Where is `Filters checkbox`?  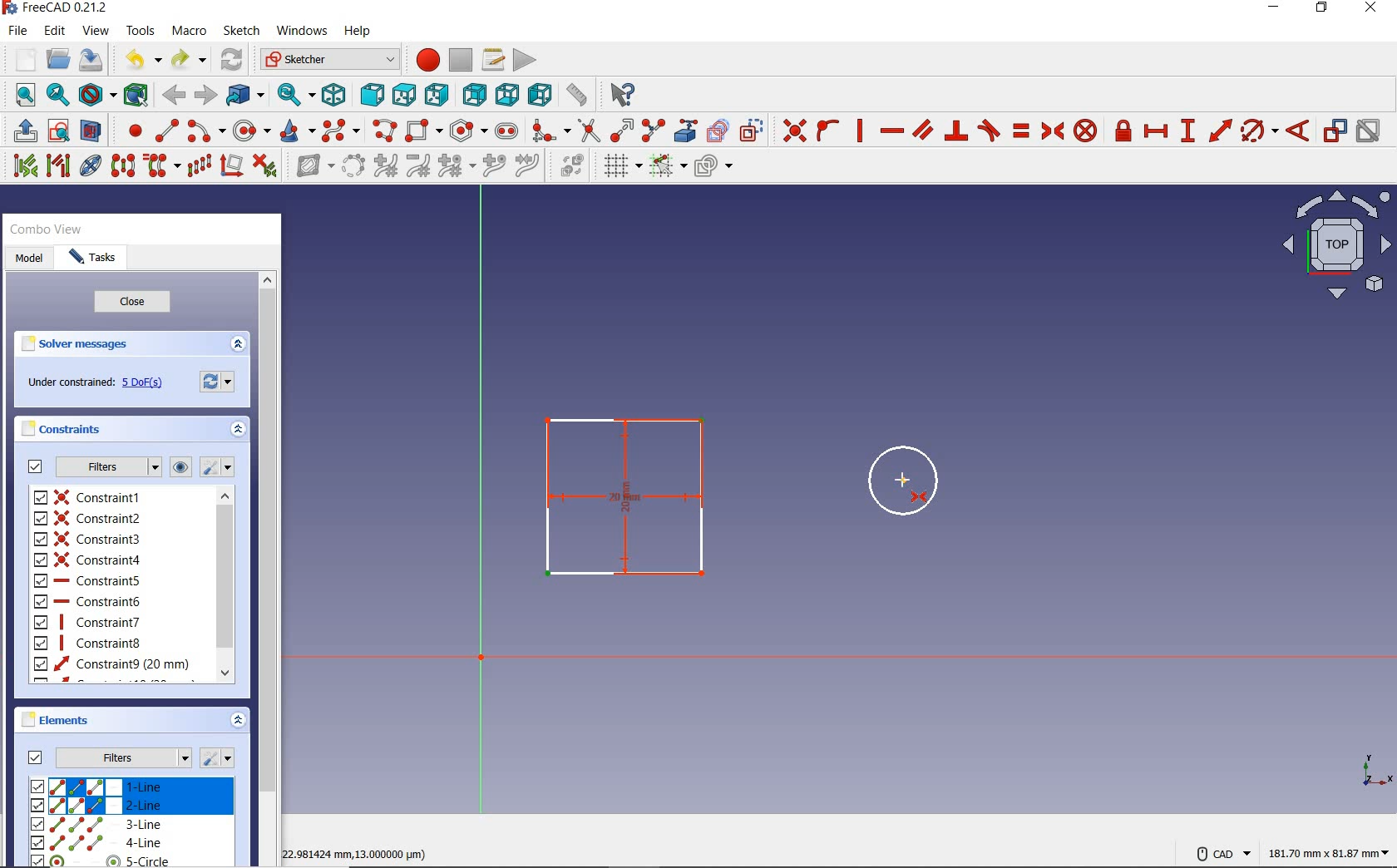 Filters checkbox is located at coordinates (35, 757).